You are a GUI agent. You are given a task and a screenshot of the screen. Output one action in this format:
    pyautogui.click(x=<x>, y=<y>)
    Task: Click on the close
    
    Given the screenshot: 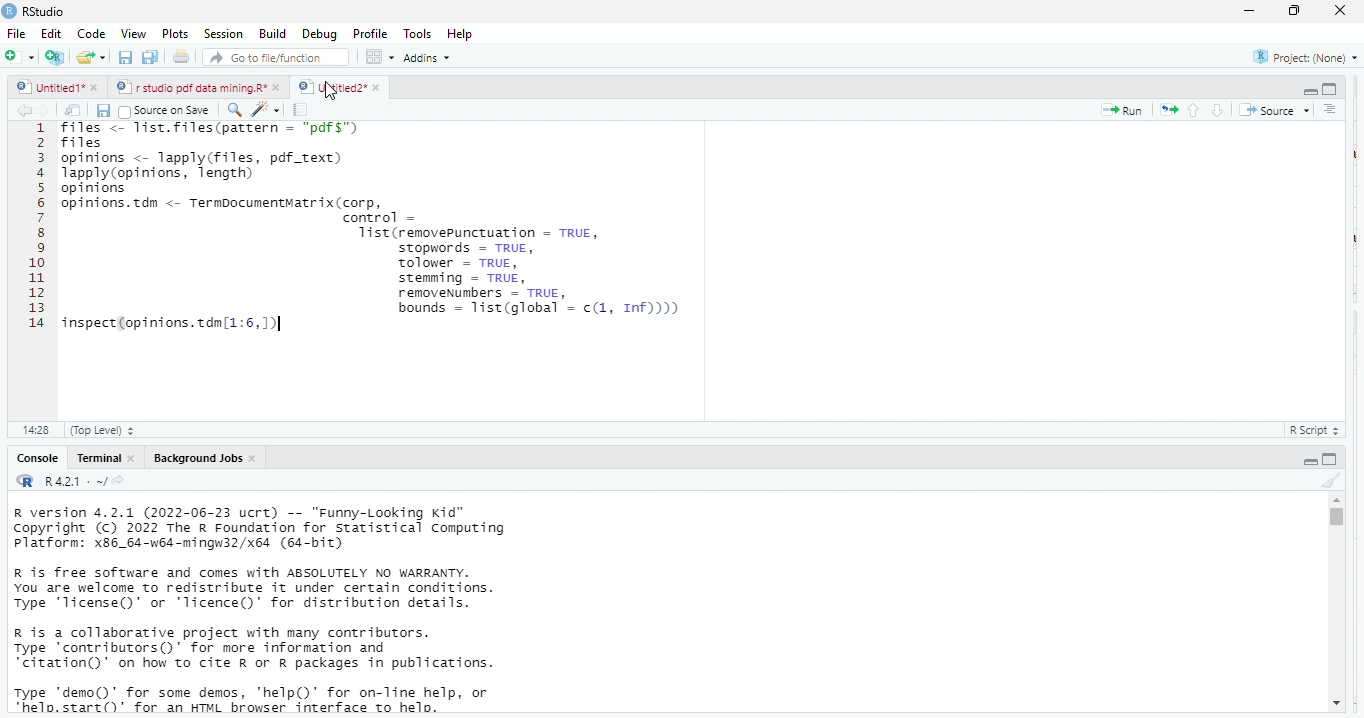 What is the action you would take?
    pyautogui.click(x=255, y=458)
    